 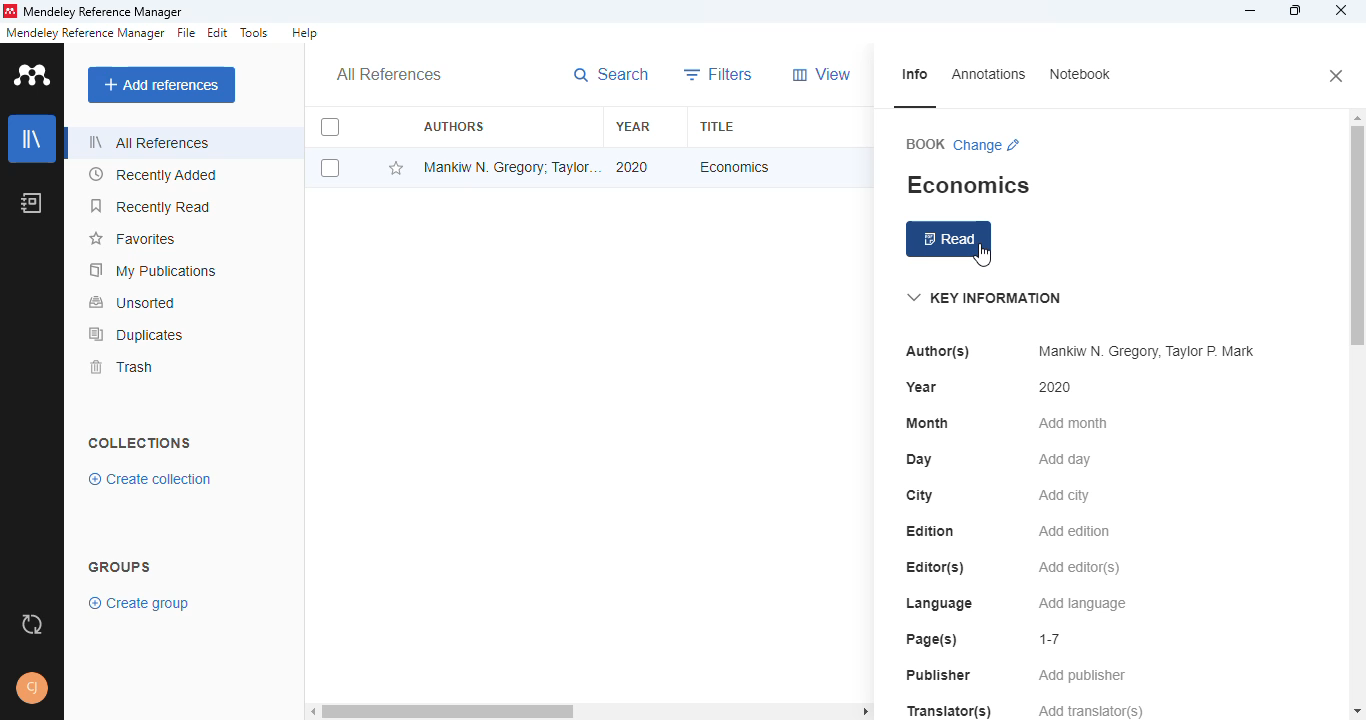 What do you see at coordinates (969, 185) in the screenshot?
I see `economics` at bounding box center [969, 185].